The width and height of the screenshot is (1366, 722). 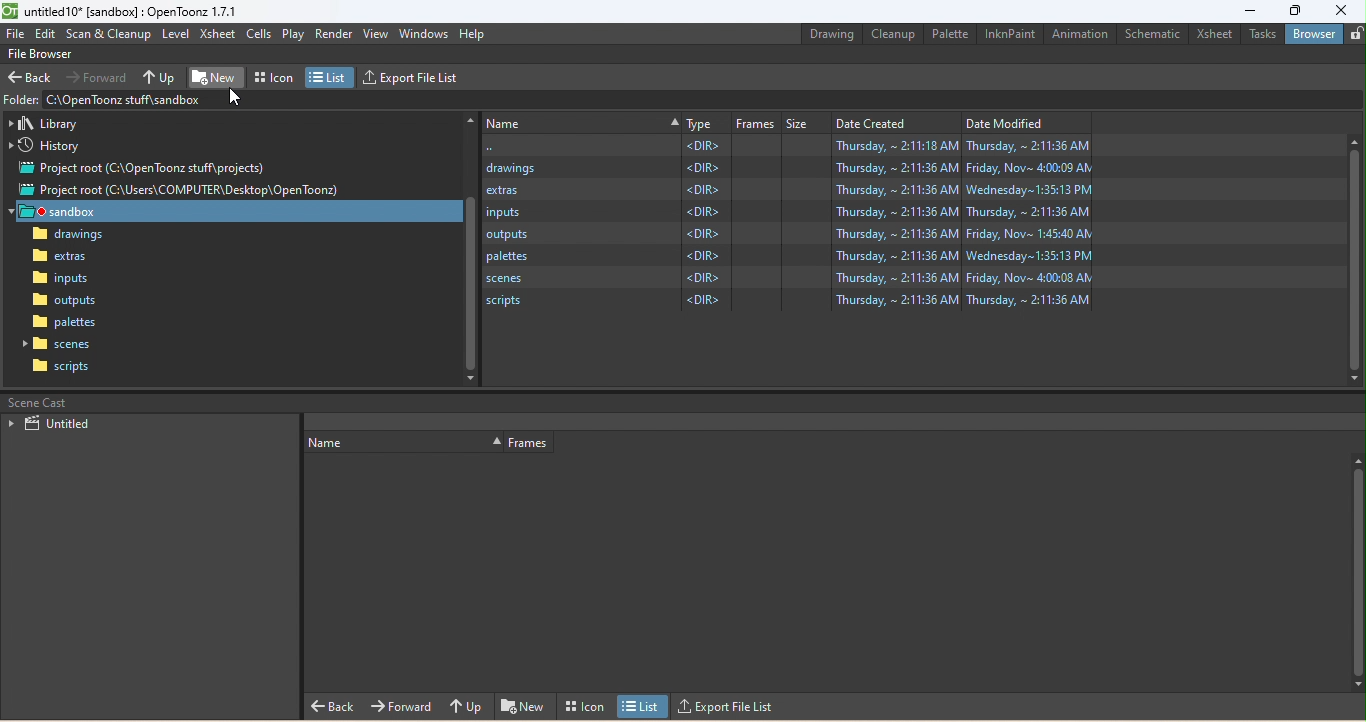 I want to click on list , so click(x=645, y=707).